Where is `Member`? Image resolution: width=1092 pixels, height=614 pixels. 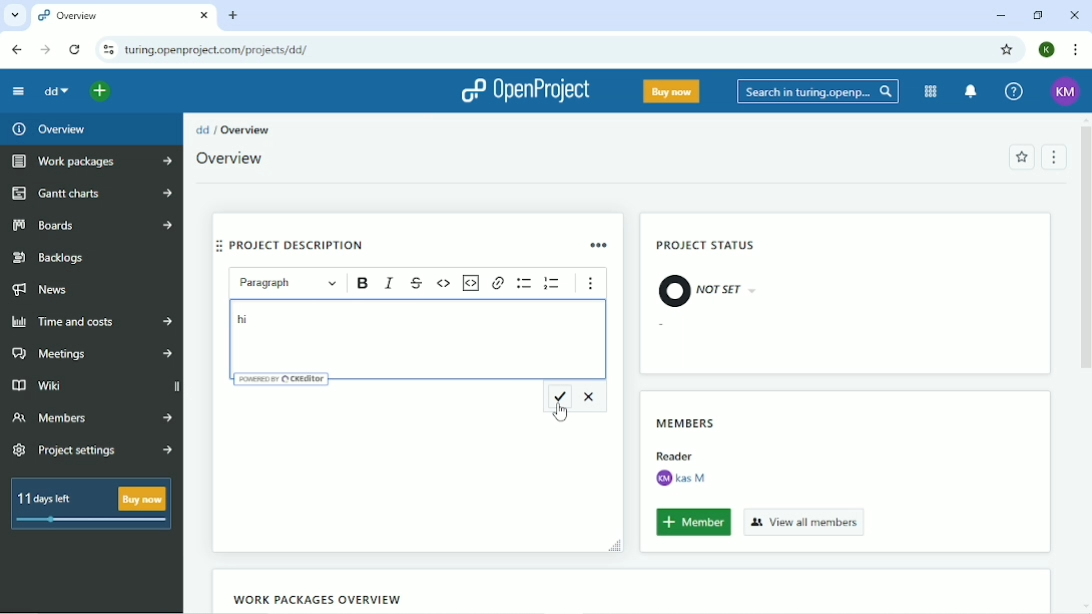
Member is located at coordinates (693, 523).